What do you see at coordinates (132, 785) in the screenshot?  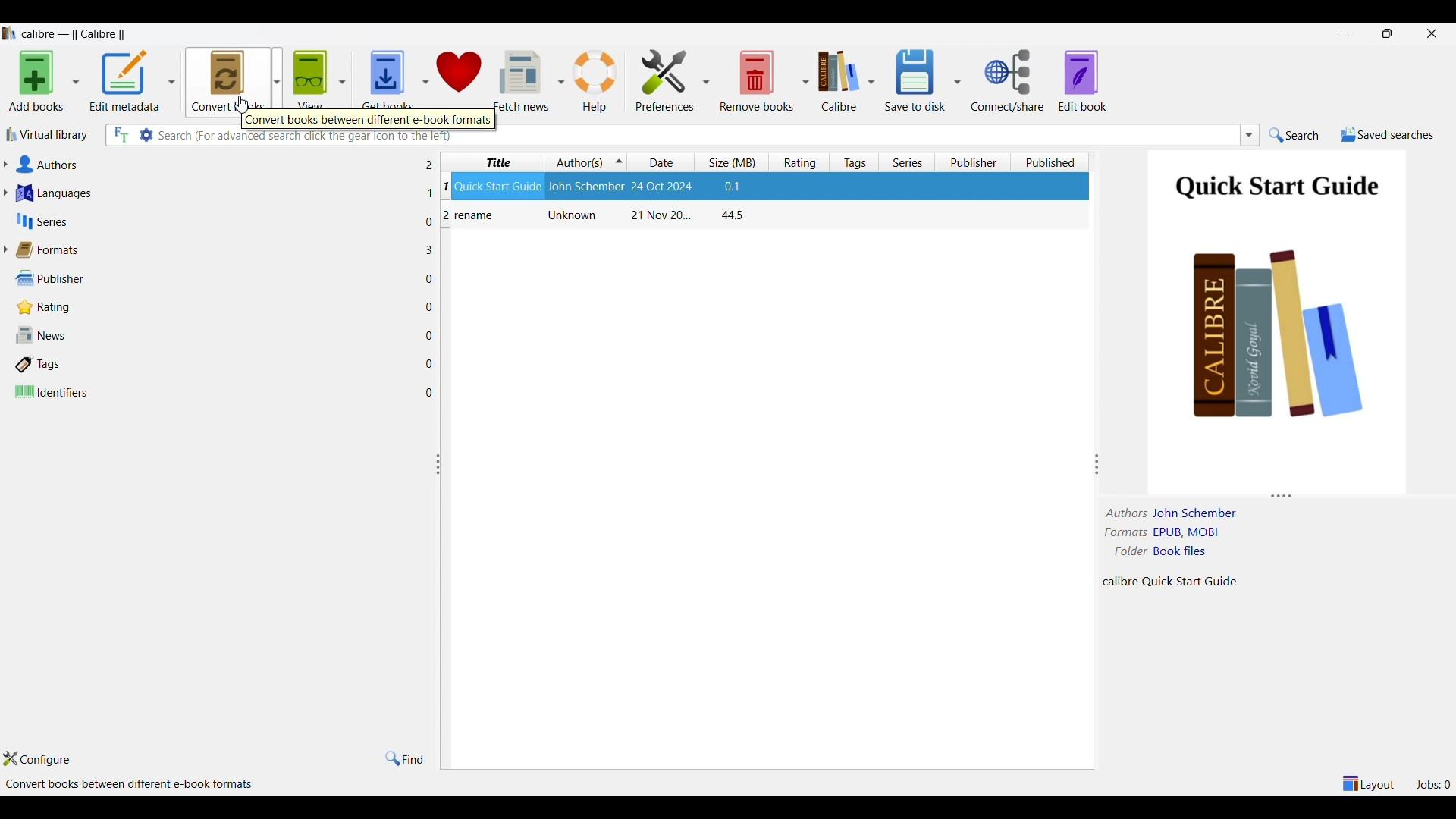 I see `Details of software` at bounding box center [132, 785].